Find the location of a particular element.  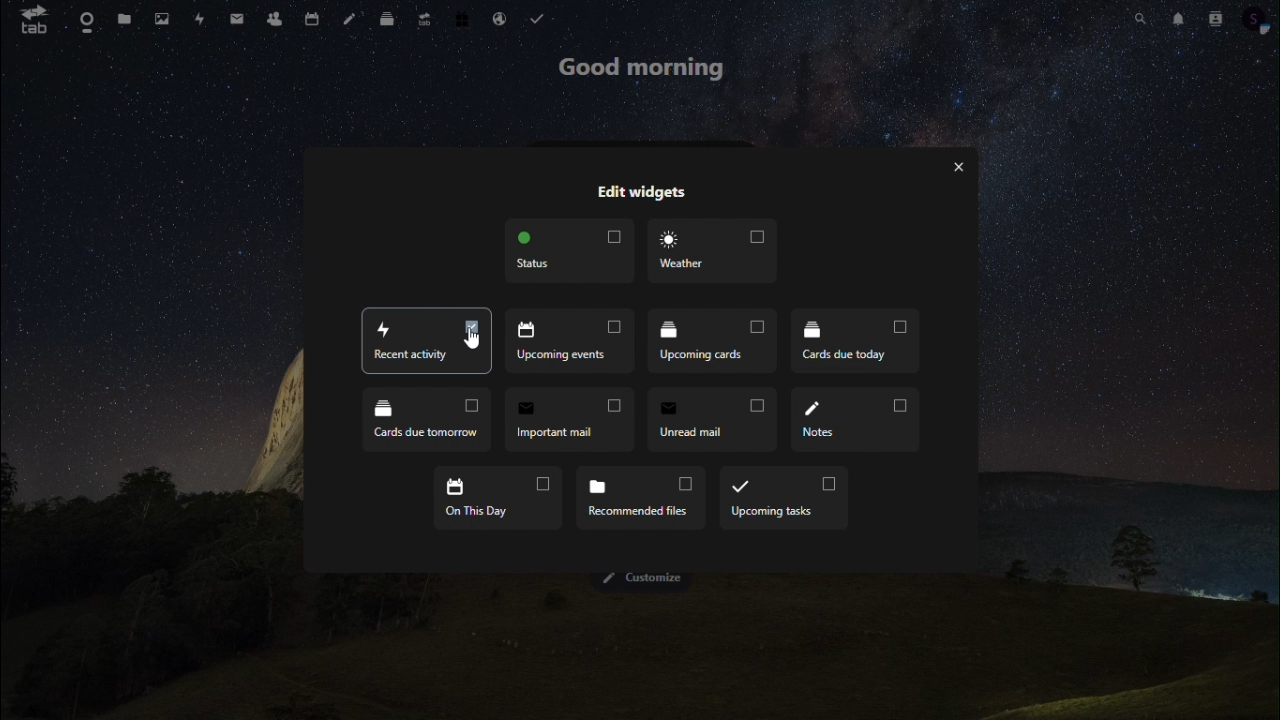

upgrade is located at coordinates (423, 23).